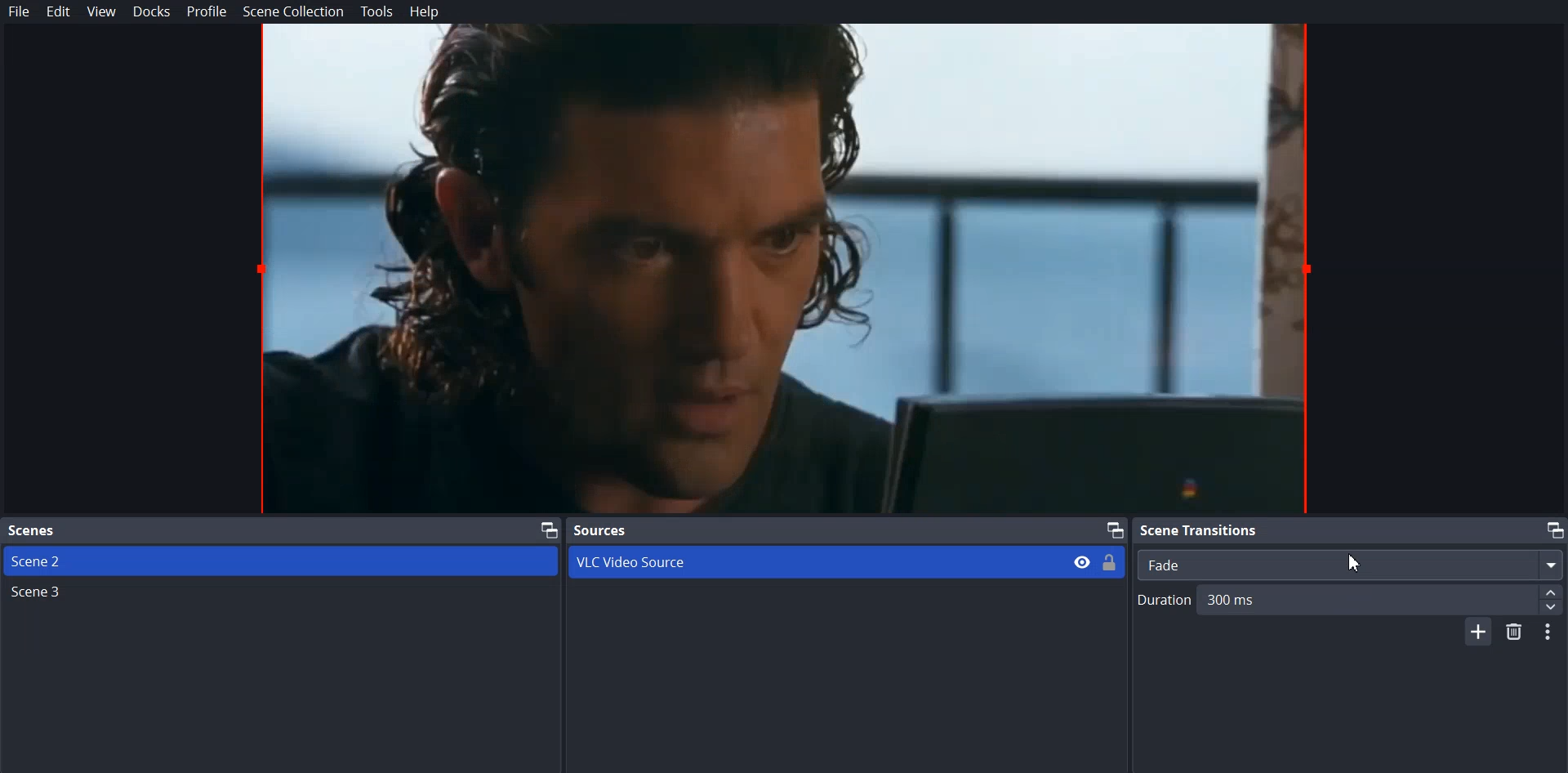 The width and height of the screenshot is (1568, 773). What do you see at coordinates (845, 531) in the screenshot?
I see `Source` at bounding box center [845, 531].